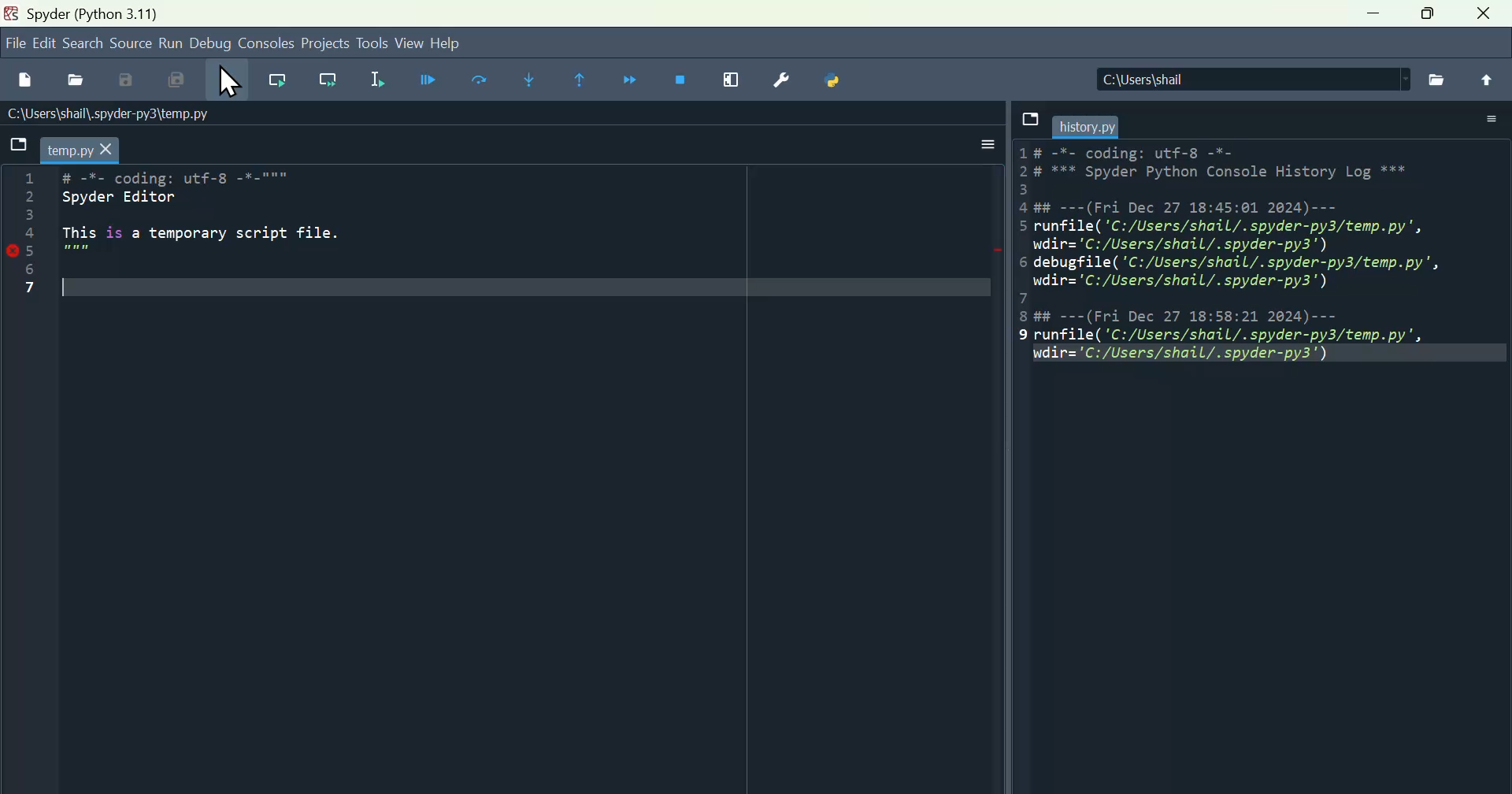  I want to click on View, so click(413, 41).